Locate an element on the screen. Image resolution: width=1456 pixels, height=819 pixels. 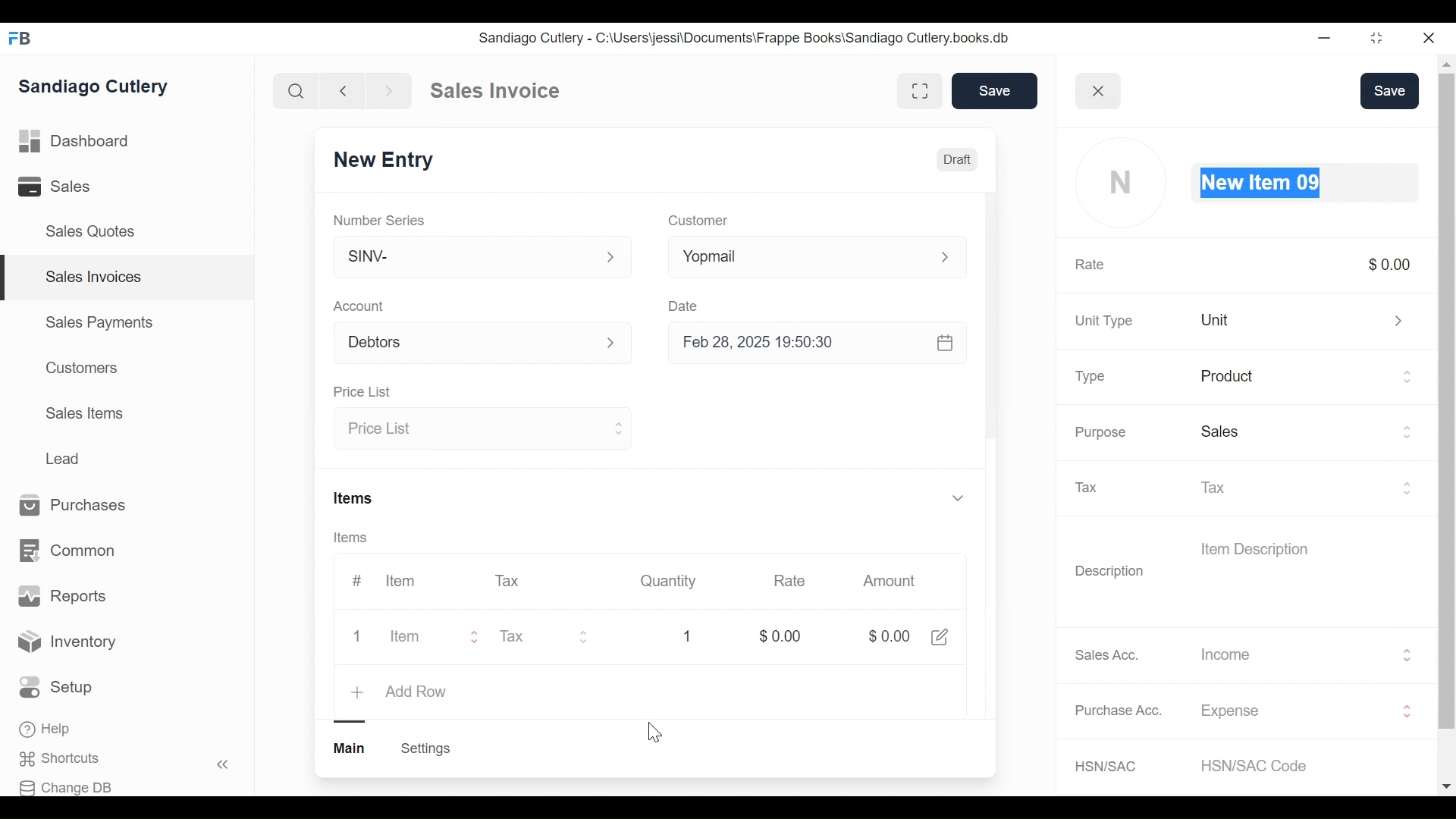
Lead is located at coordinates (64, 457).